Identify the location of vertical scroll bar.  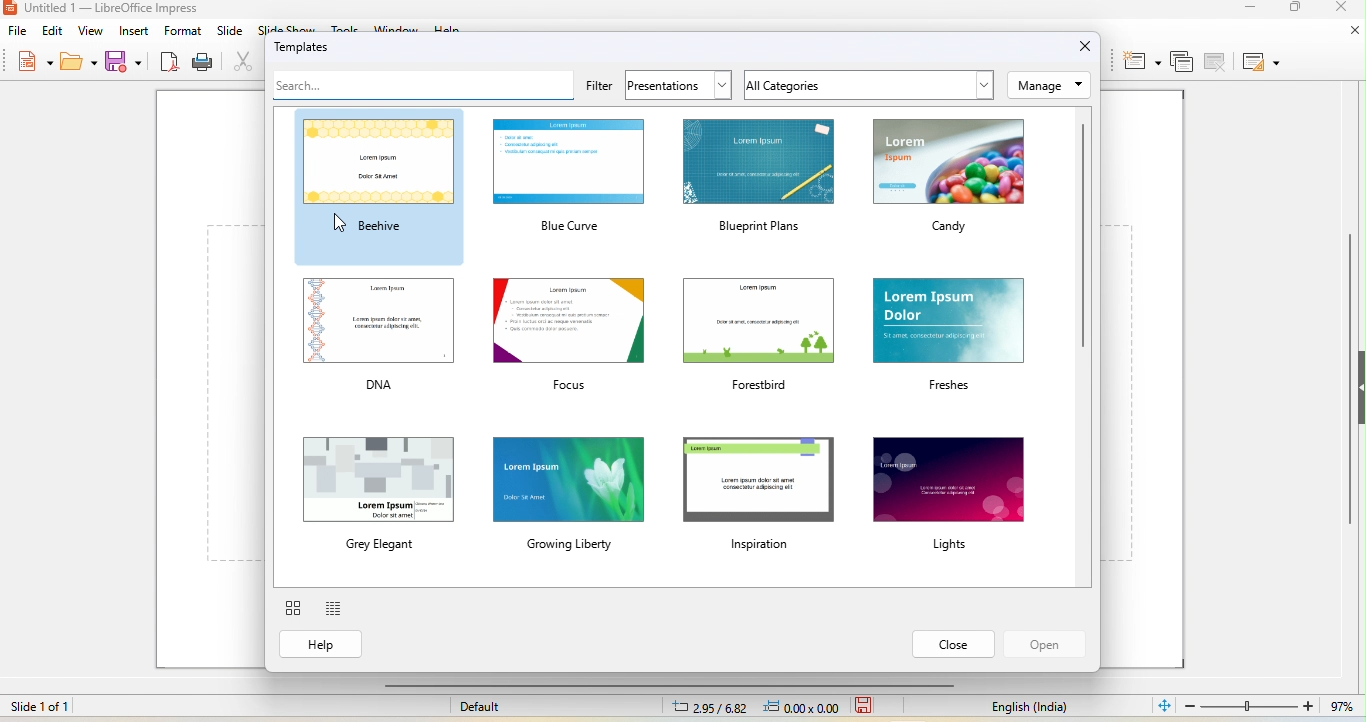
(1081, 236).